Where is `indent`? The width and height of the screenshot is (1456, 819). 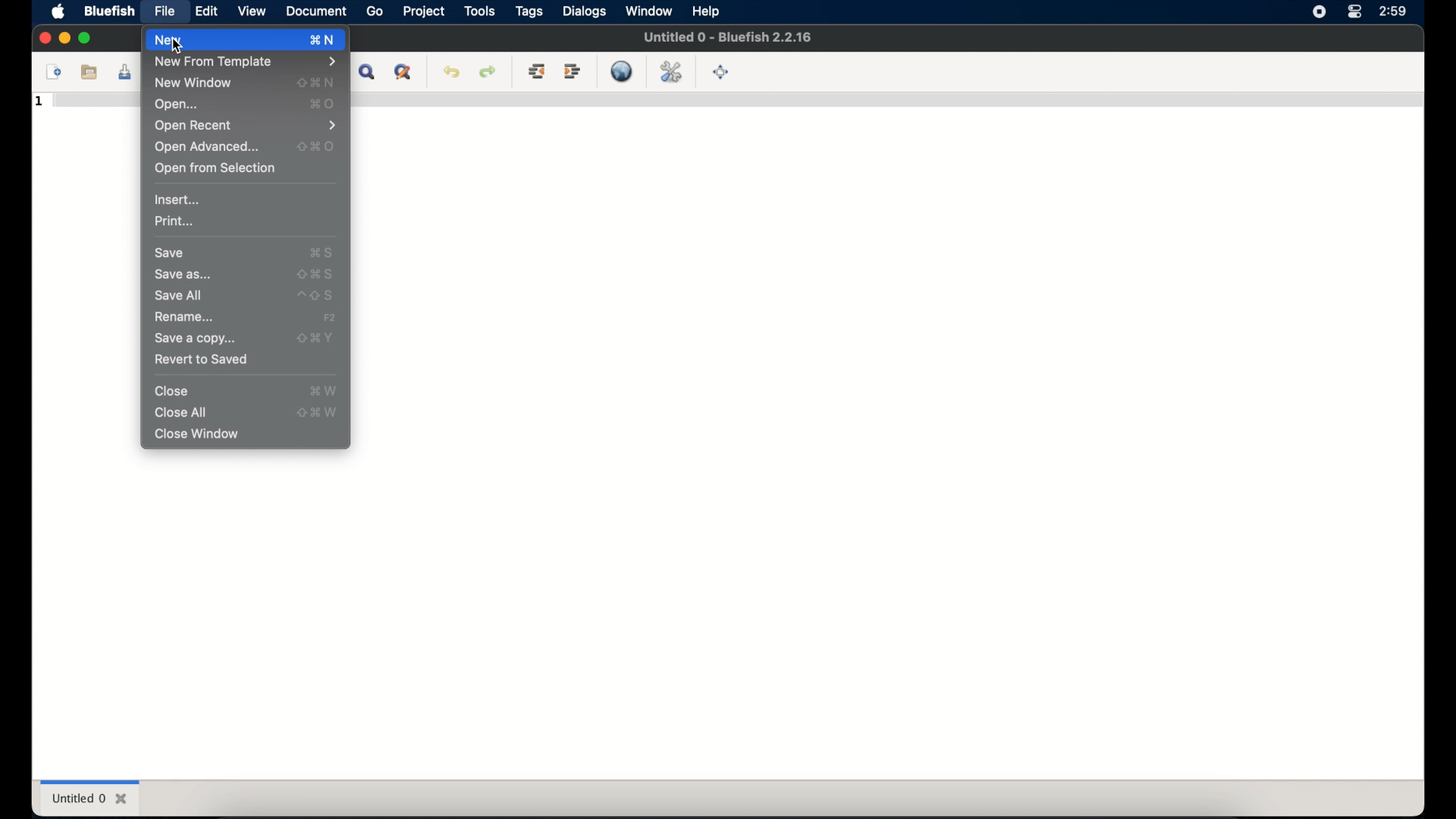
indent is located at coordinates (573, 71).